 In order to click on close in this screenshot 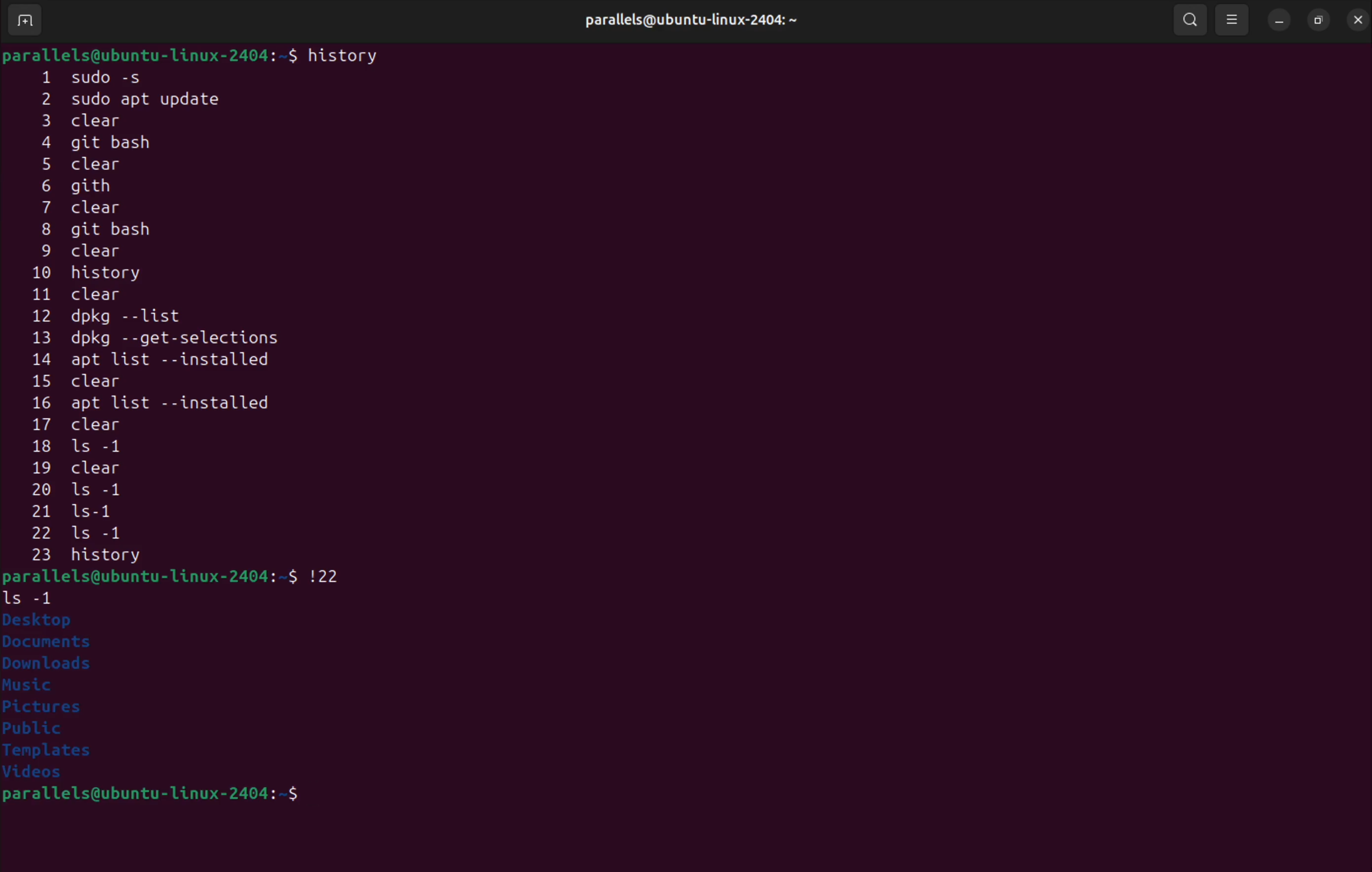, I will do `click(1355, 17)`.